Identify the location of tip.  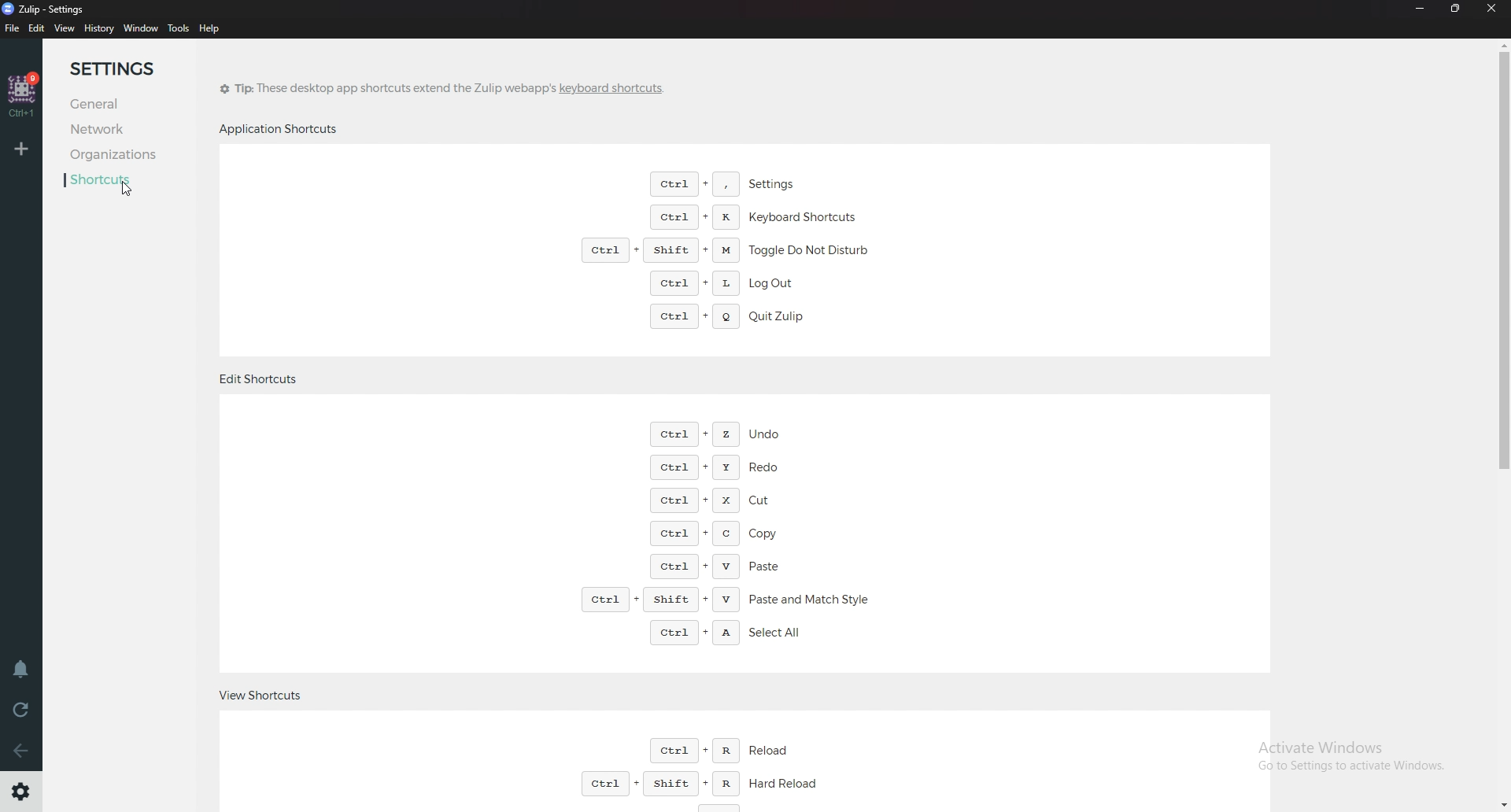
(438, 89).